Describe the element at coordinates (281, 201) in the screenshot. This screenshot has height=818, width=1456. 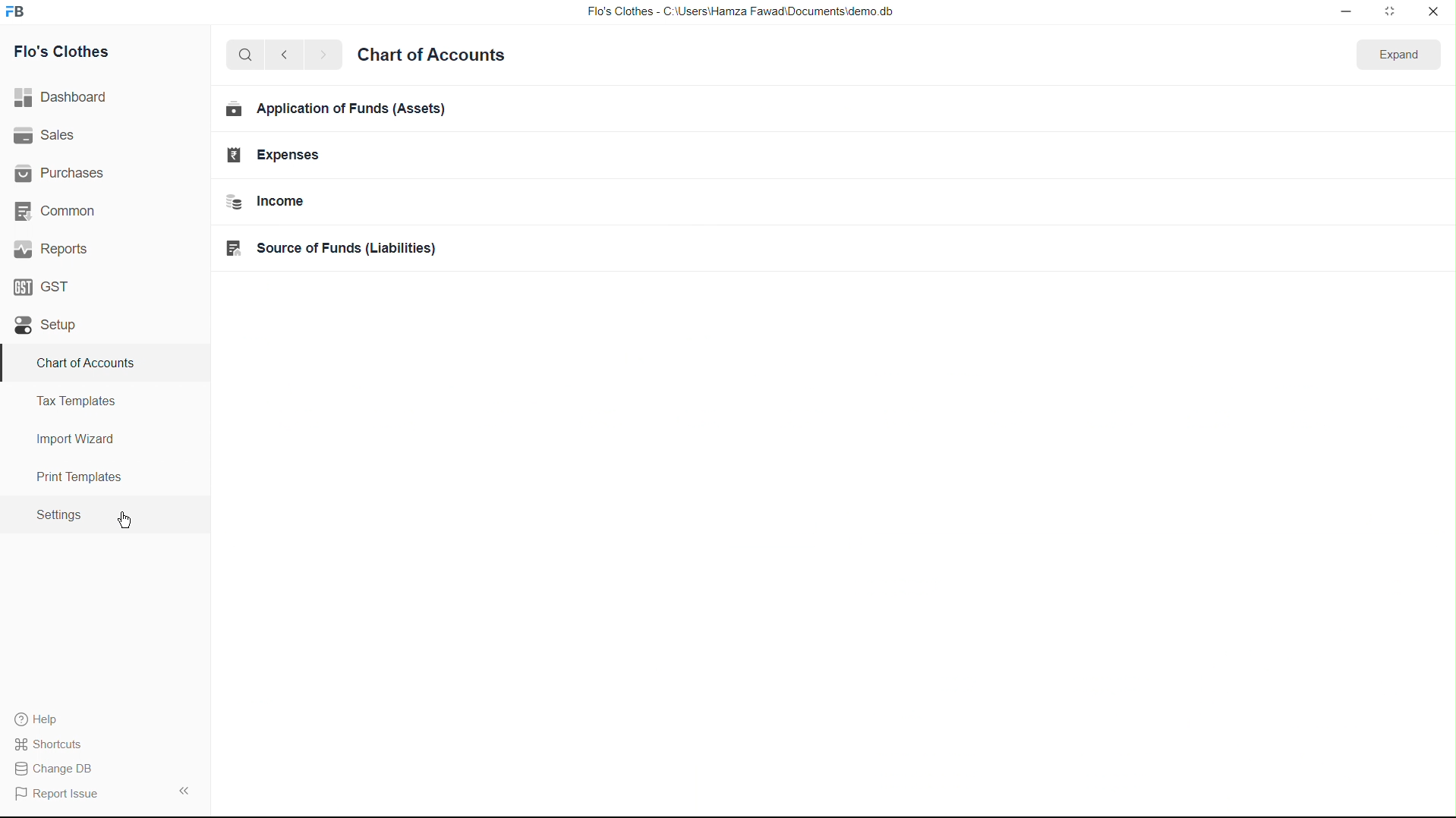
I see `Income` at that location.